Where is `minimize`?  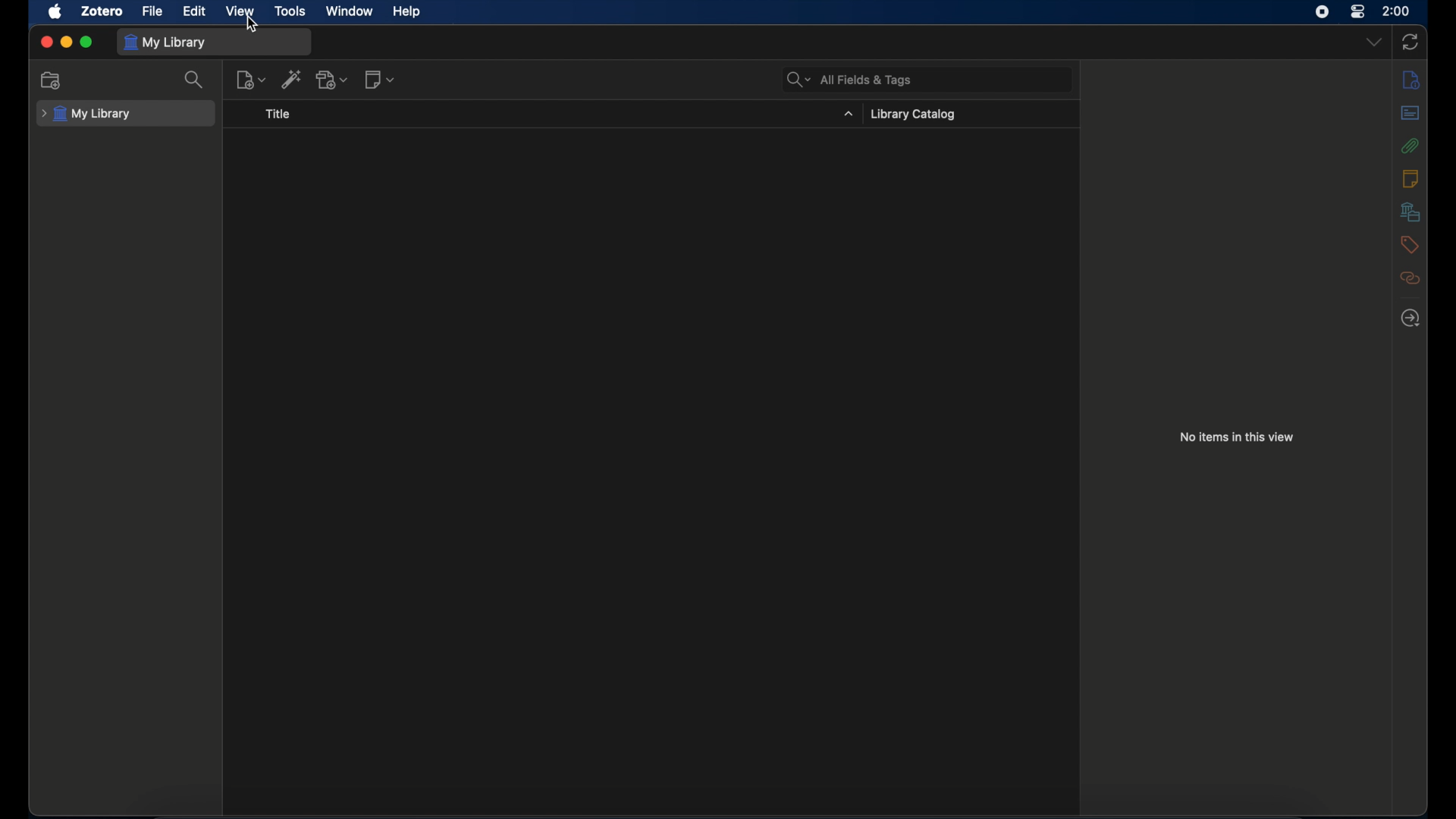 minimize is located at coordinates (65, 41).